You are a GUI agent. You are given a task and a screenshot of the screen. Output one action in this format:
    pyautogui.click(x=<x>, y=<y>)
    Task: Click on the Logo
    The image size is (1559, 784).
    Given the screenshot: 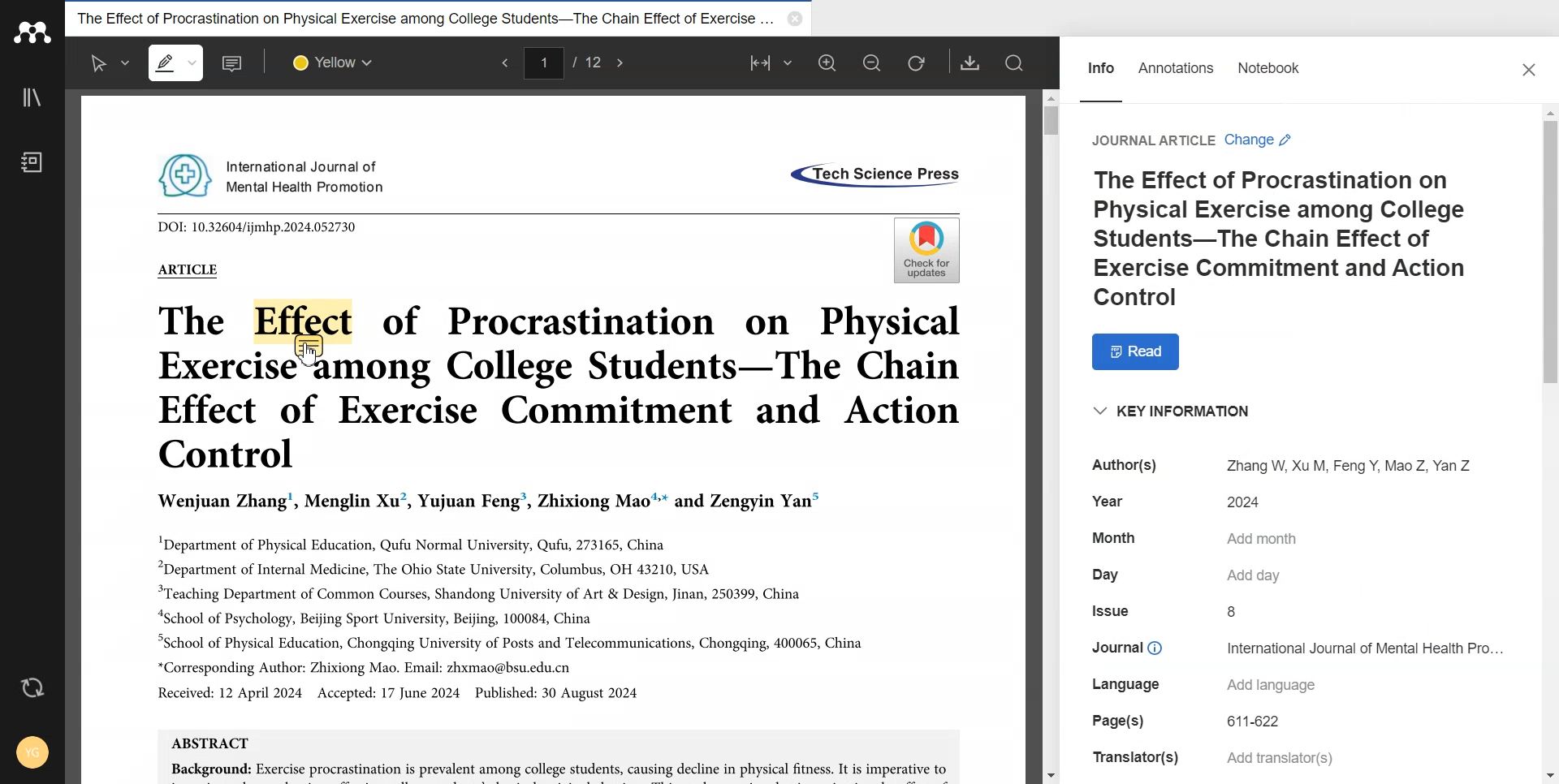 What is the action you would take?
    pyautogui.click(x=32, y=32)
    